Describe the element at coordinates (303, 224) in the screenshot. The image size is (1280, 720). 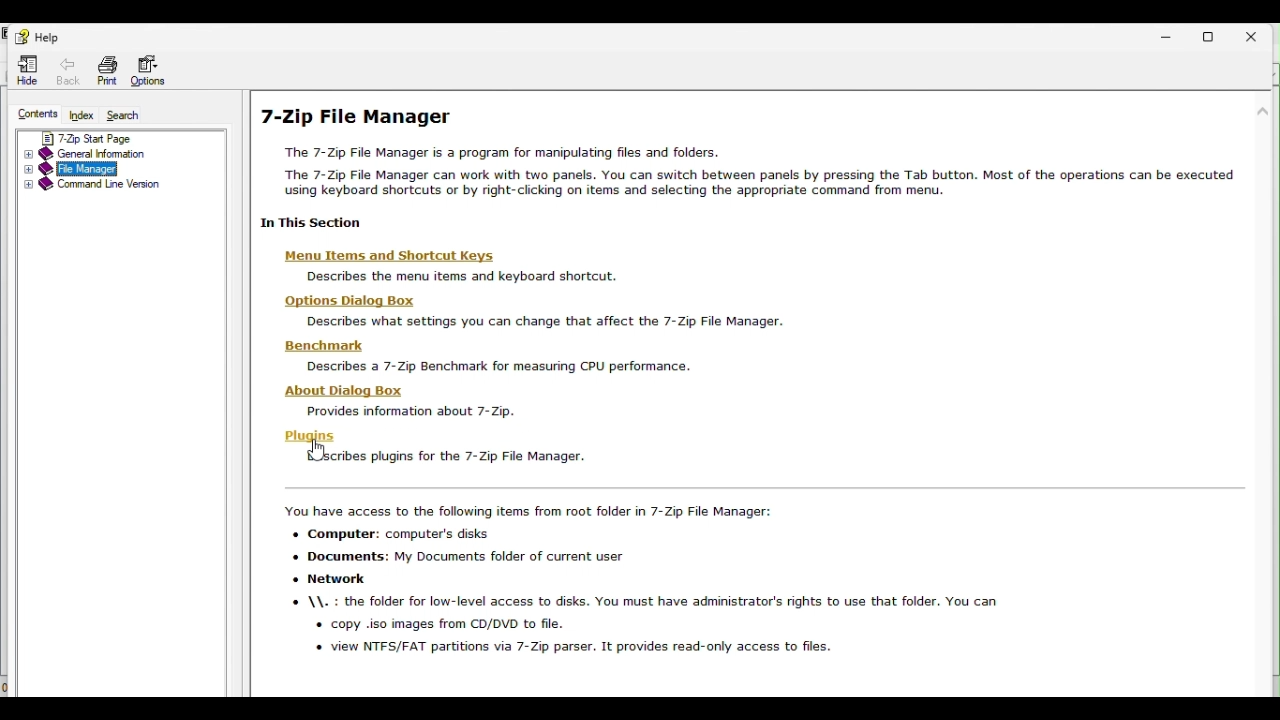
I see `in this section` at that location.